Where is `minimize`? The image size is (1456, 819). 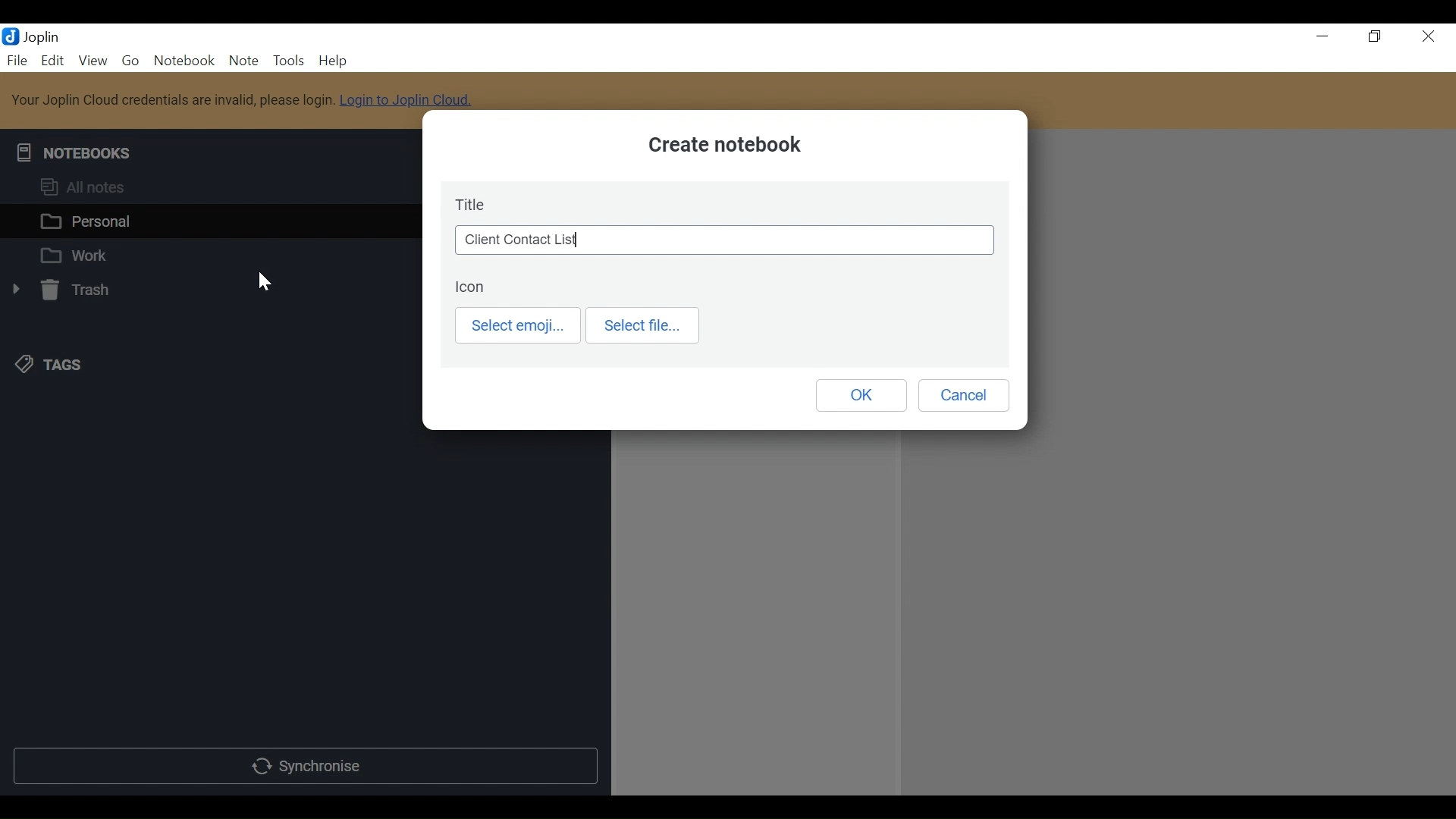 minimize is located at coordinates (1319, 36).